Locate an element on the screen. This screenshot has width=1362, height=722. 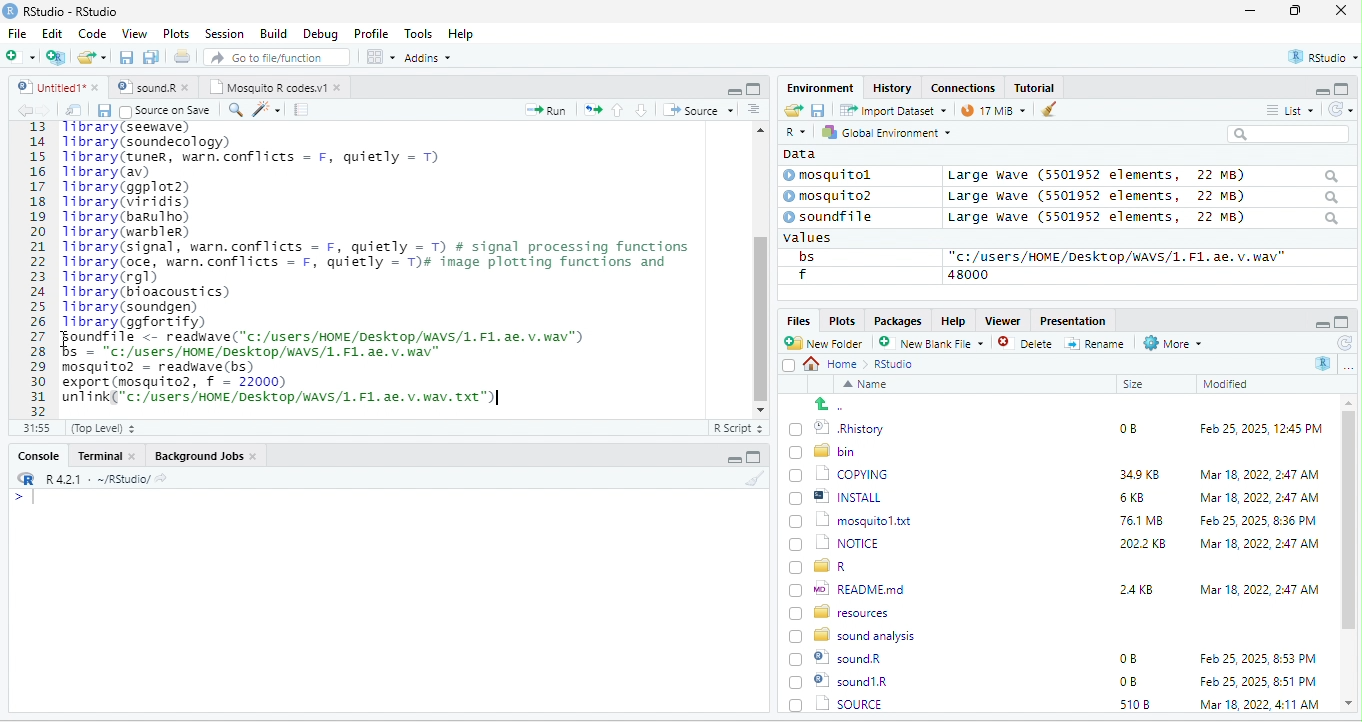
save as is located at coordinates (153, 58).